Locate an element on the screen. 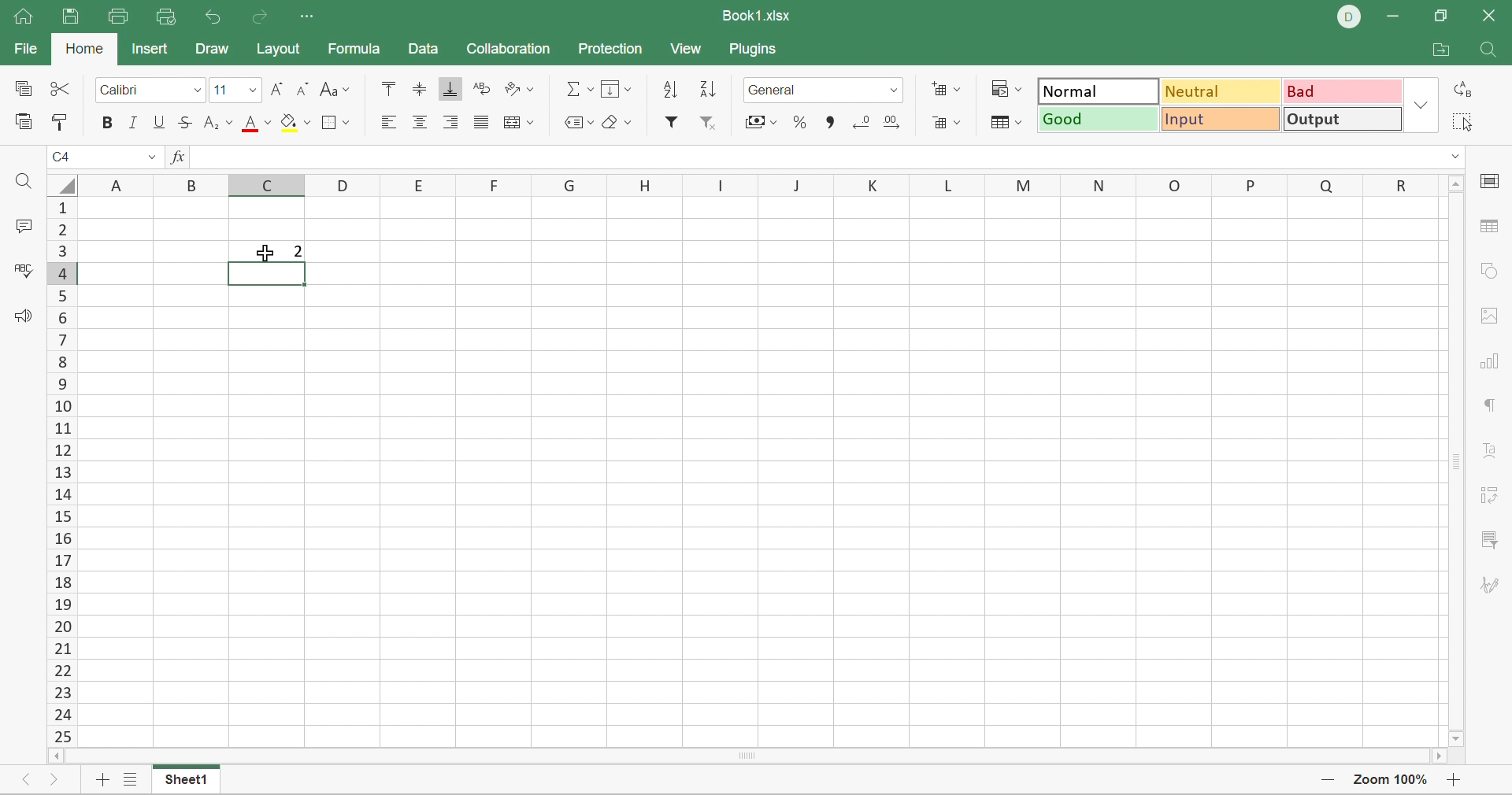  Home is located at coordinates (20, 15).